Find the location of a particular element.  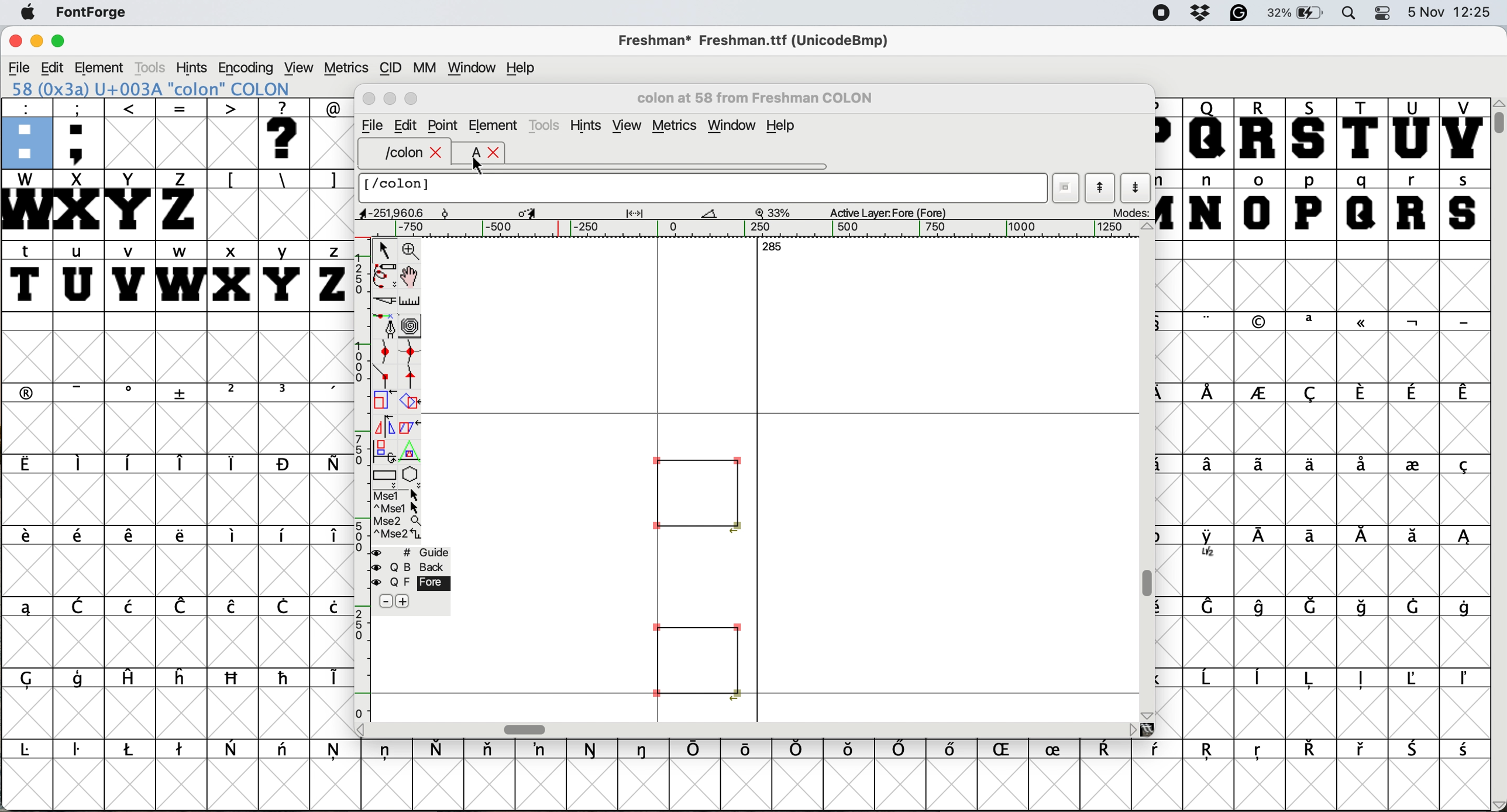

V is located at coordinates (1464, 133).